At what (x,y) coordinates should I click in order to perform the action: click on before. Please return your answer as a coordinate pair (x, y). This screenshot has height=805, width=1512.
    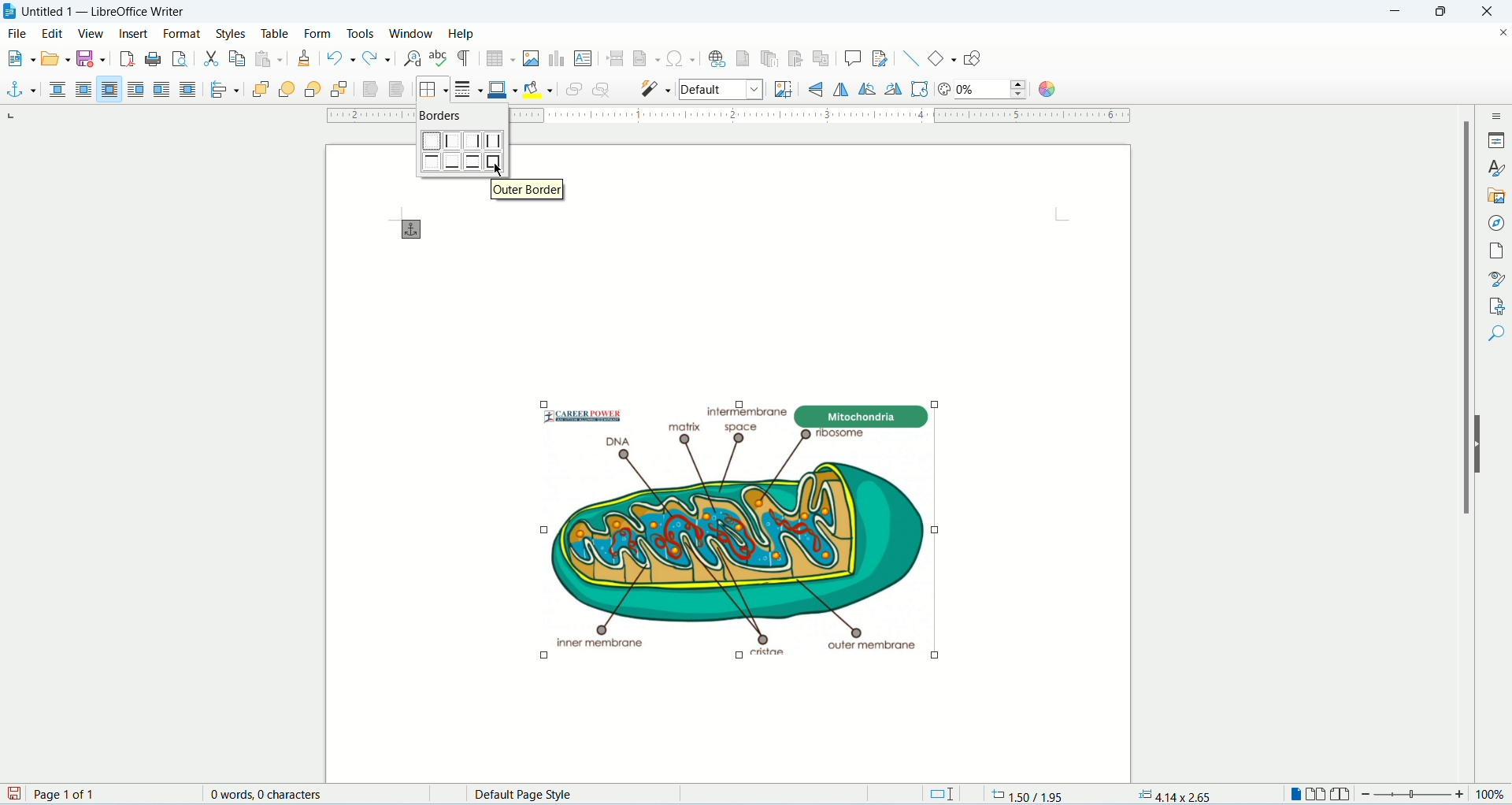
    Looking at the image, I should click on (137, 90).